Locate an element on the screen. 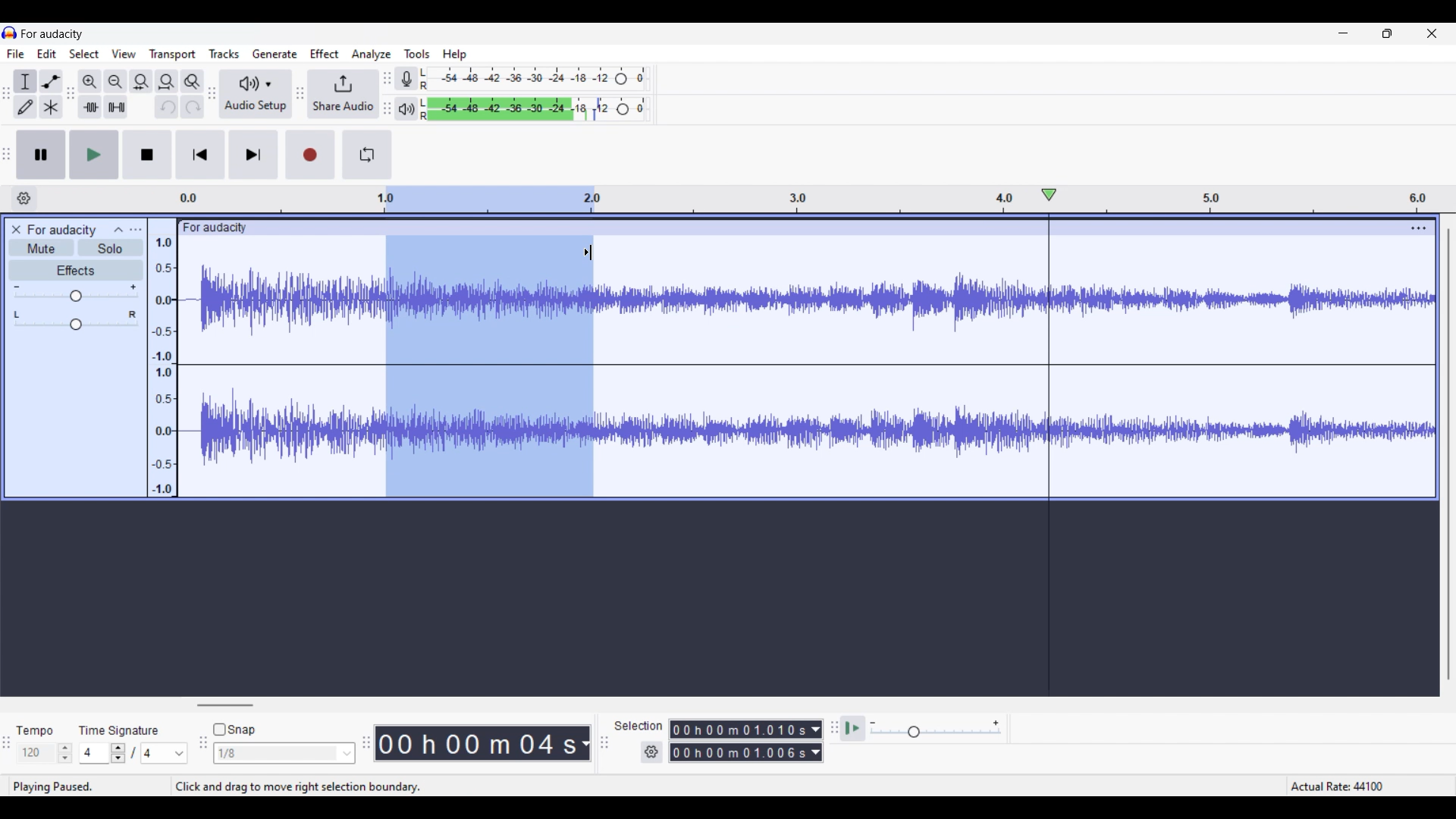  Pan scale is located at coordinates (75, 320).